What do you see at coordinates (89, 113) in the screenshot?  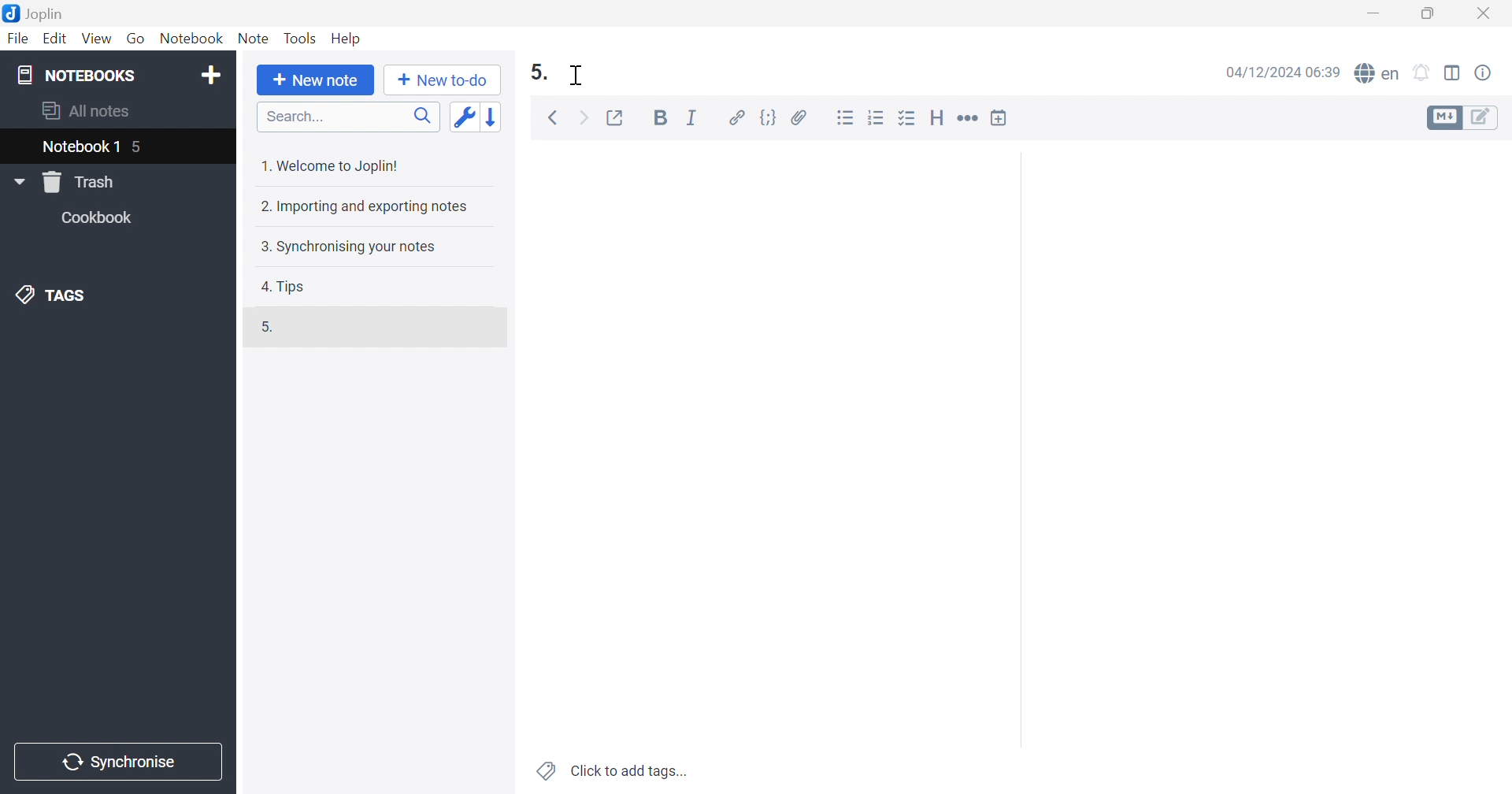 I see `All notes` at bounding box center [89, 113].